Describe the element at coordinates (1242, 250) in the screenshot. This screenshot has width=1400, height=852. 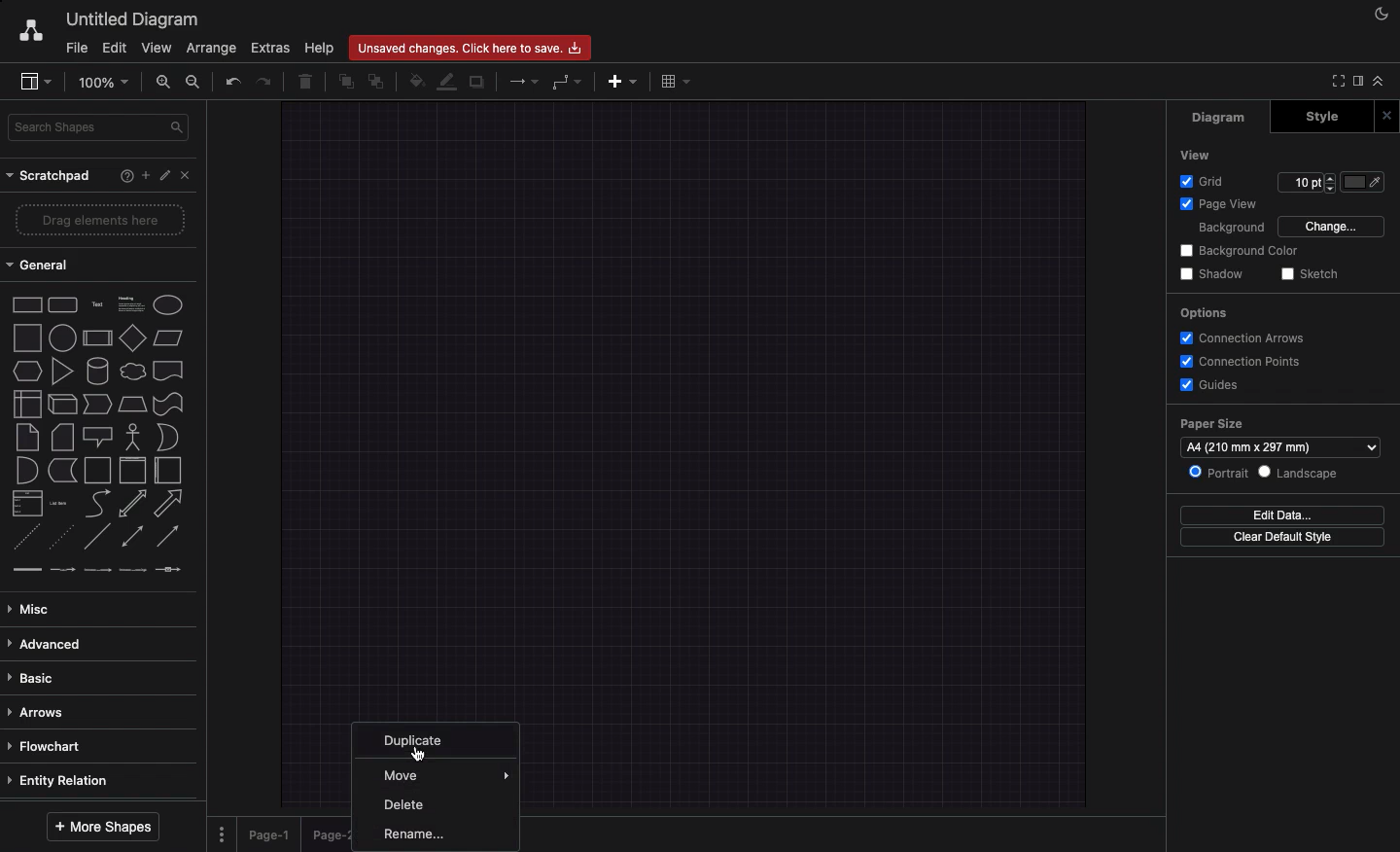
I see `Background color` at that location.